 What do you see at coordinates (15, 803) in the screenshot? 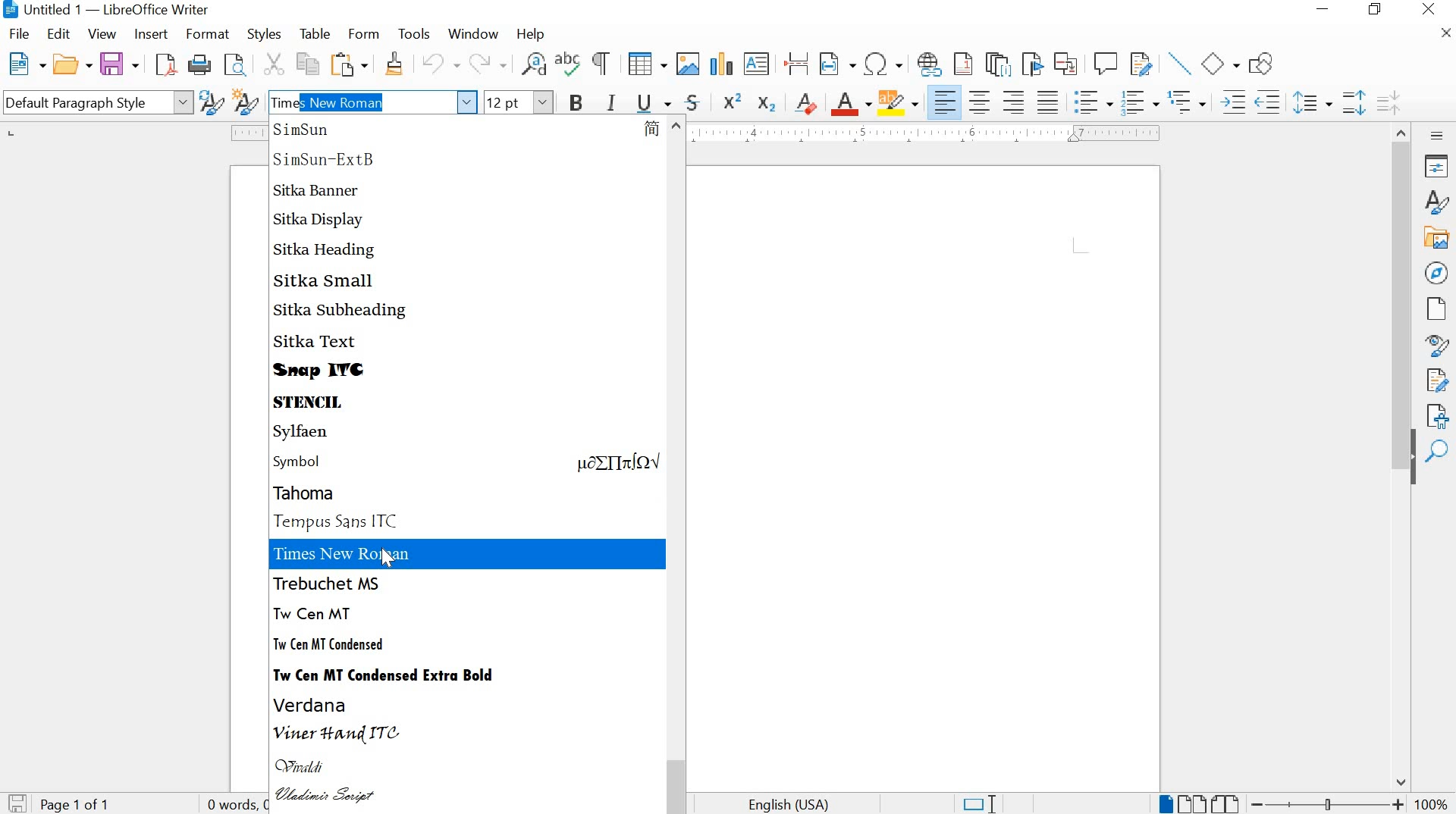
I see `SAVE` at bounding box center [15, 803].